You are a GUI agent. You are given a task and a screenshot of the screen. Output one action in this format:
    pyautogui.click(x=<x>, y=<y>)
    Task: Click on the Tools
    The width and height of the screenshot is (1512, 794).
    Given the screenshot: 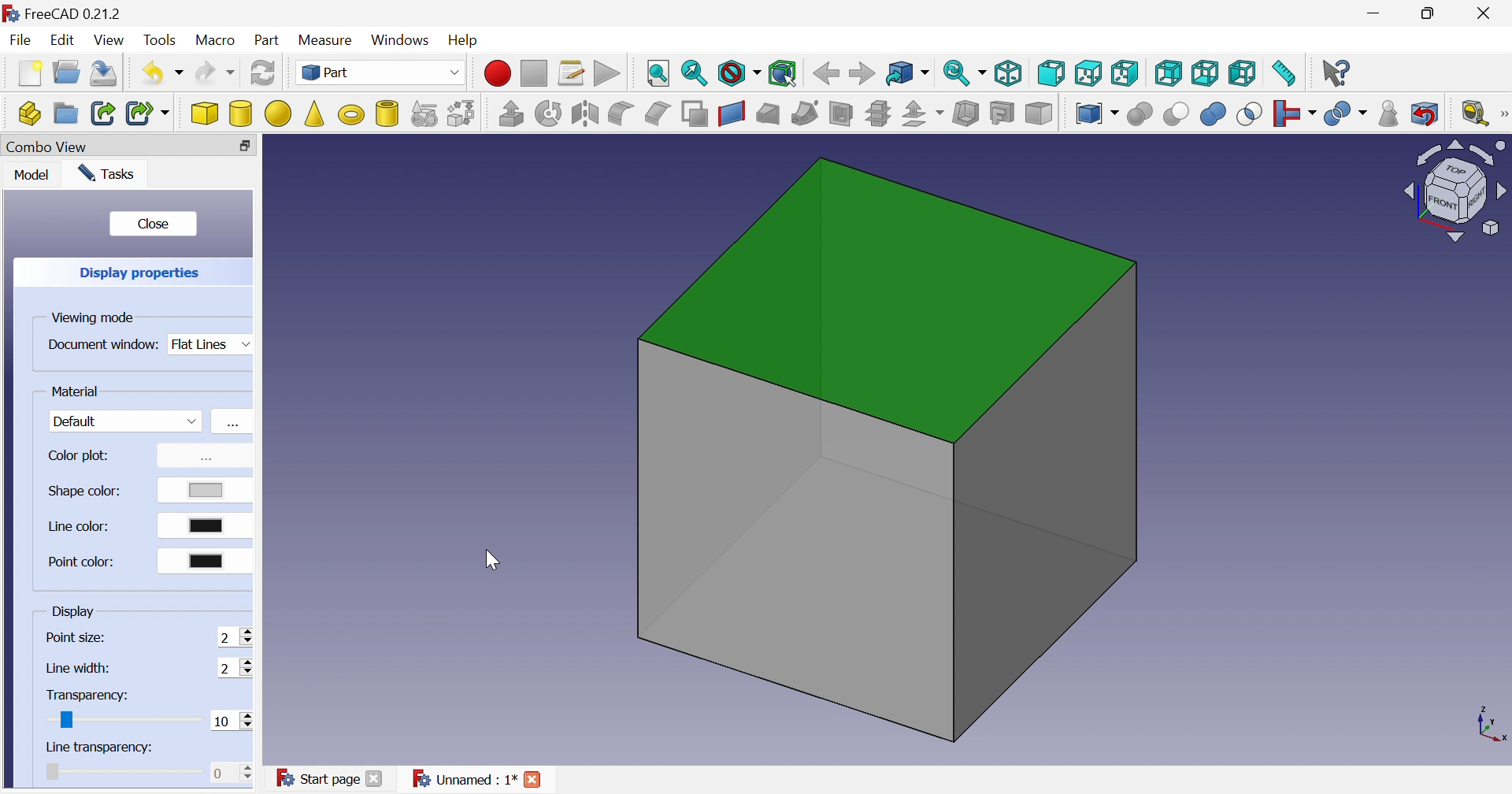 What is the action you would take?
    pyautogui.click(x=161, y=40)
    